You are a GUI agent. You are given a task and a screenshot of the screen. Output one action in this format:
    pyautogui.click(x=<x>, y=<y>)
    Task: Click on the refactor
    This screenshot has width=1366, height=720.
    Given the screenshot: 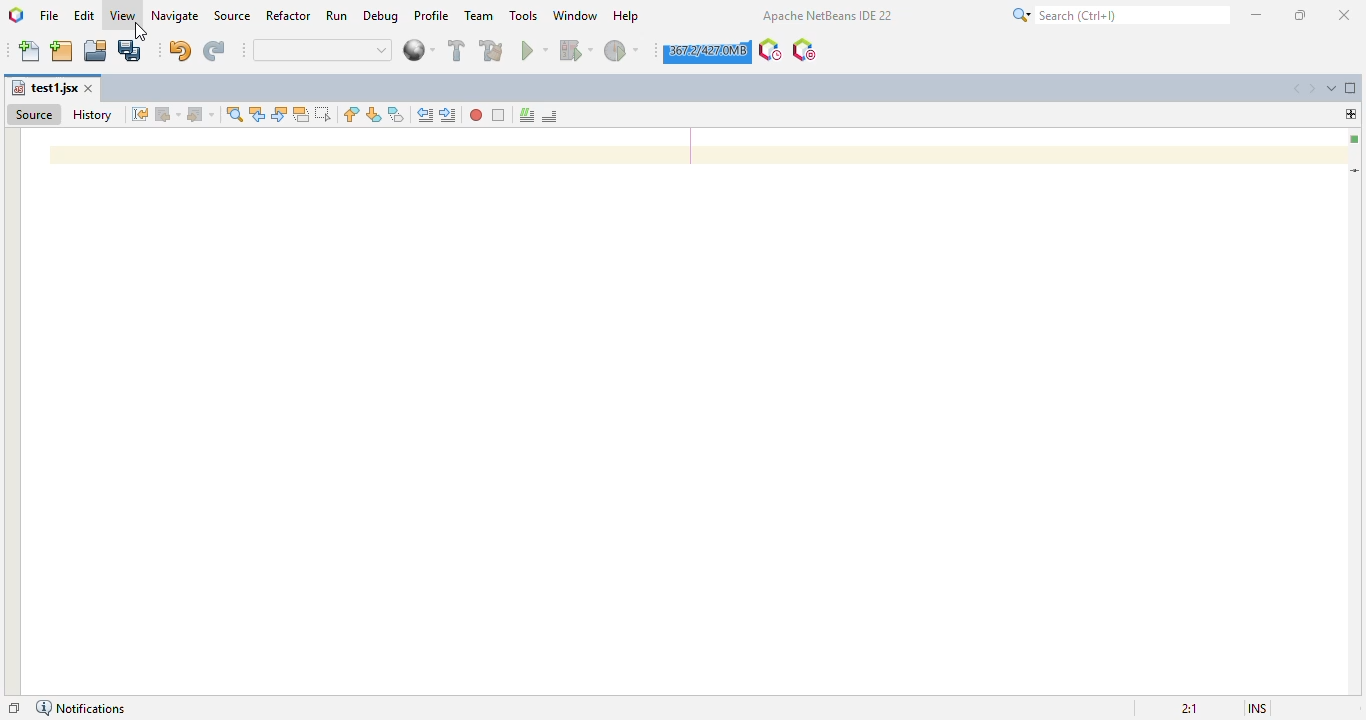 What is the action you would take?
    pyautogui.click(x=289, y=15)
    